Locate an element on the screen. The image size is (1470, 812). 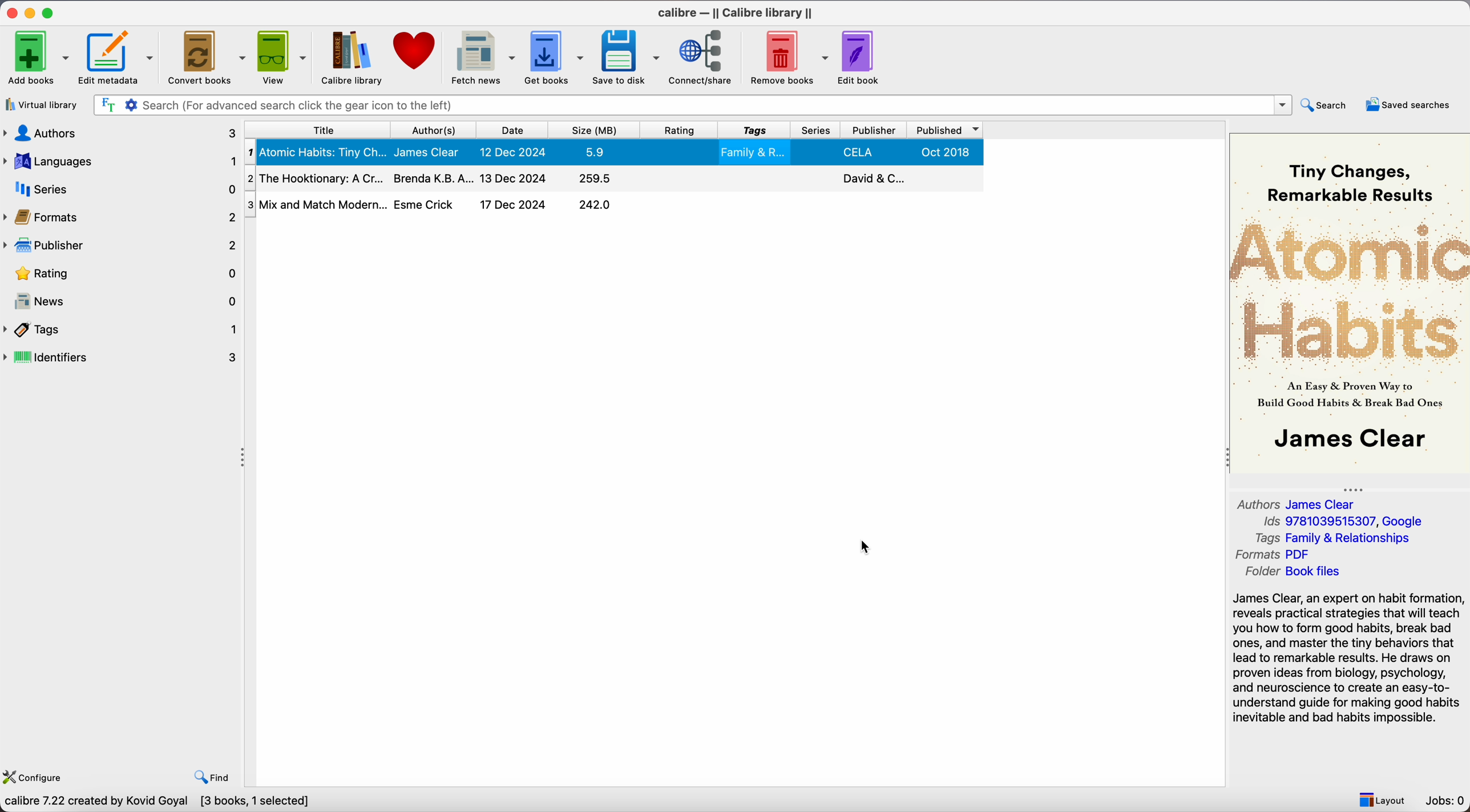
get books is located at coordinates (555, 57).